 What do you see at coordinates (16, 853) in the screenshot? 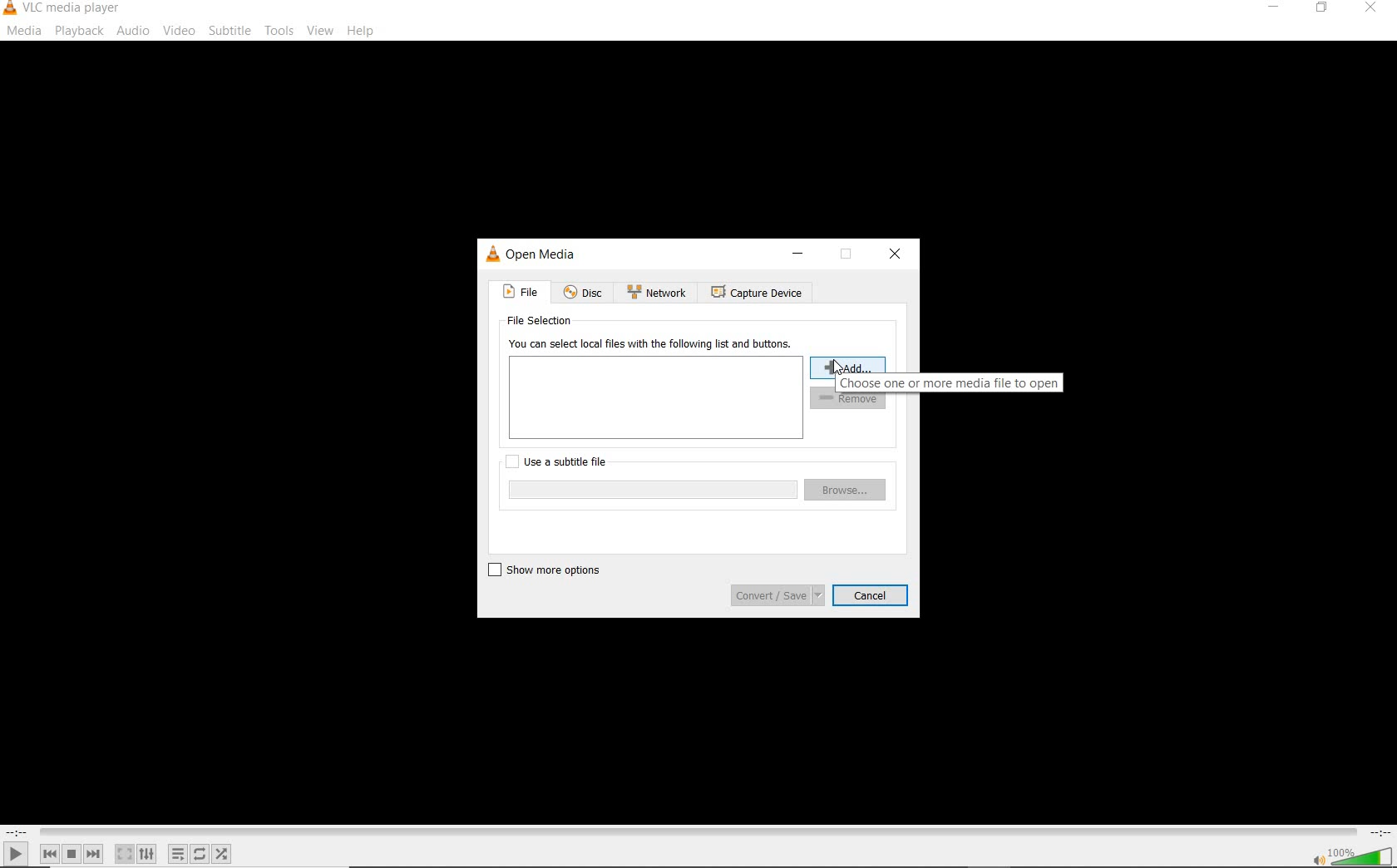
I see `play` at bounding box center [16, 853].